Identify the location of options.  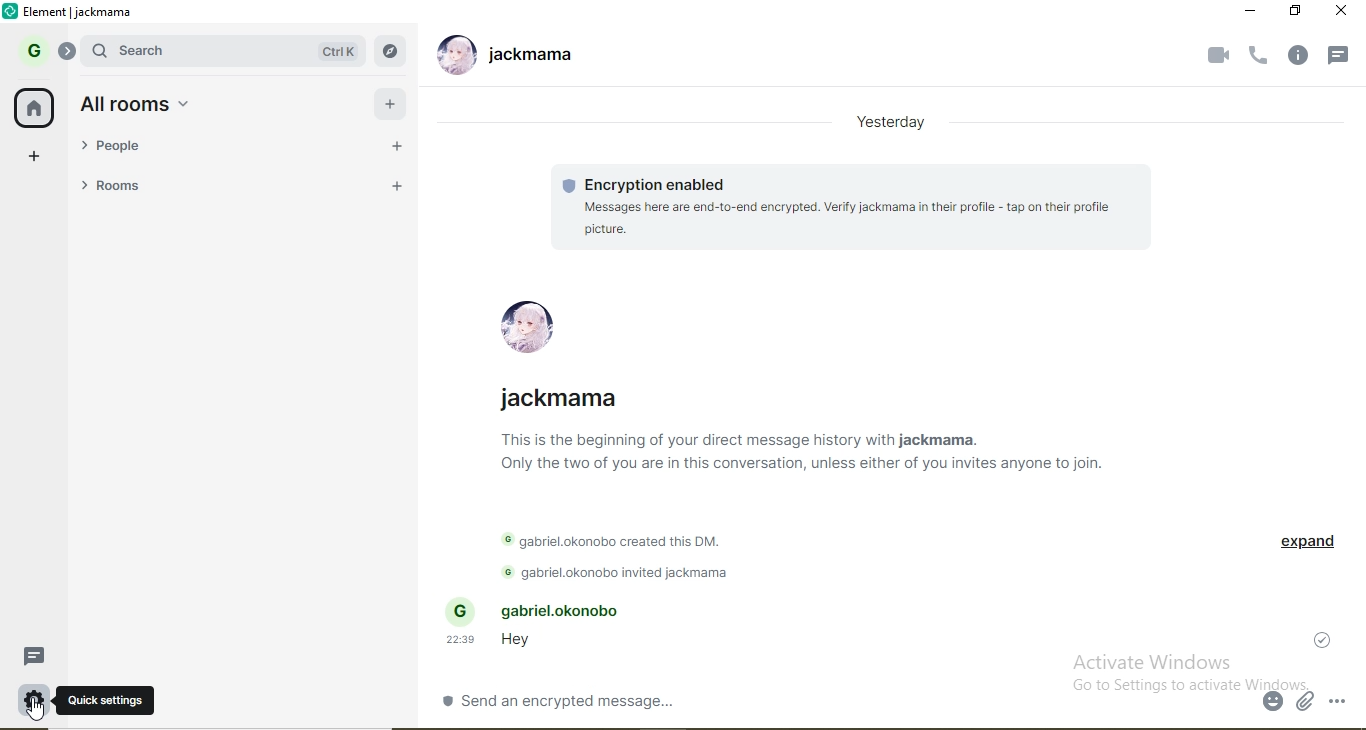
(1345, 702).